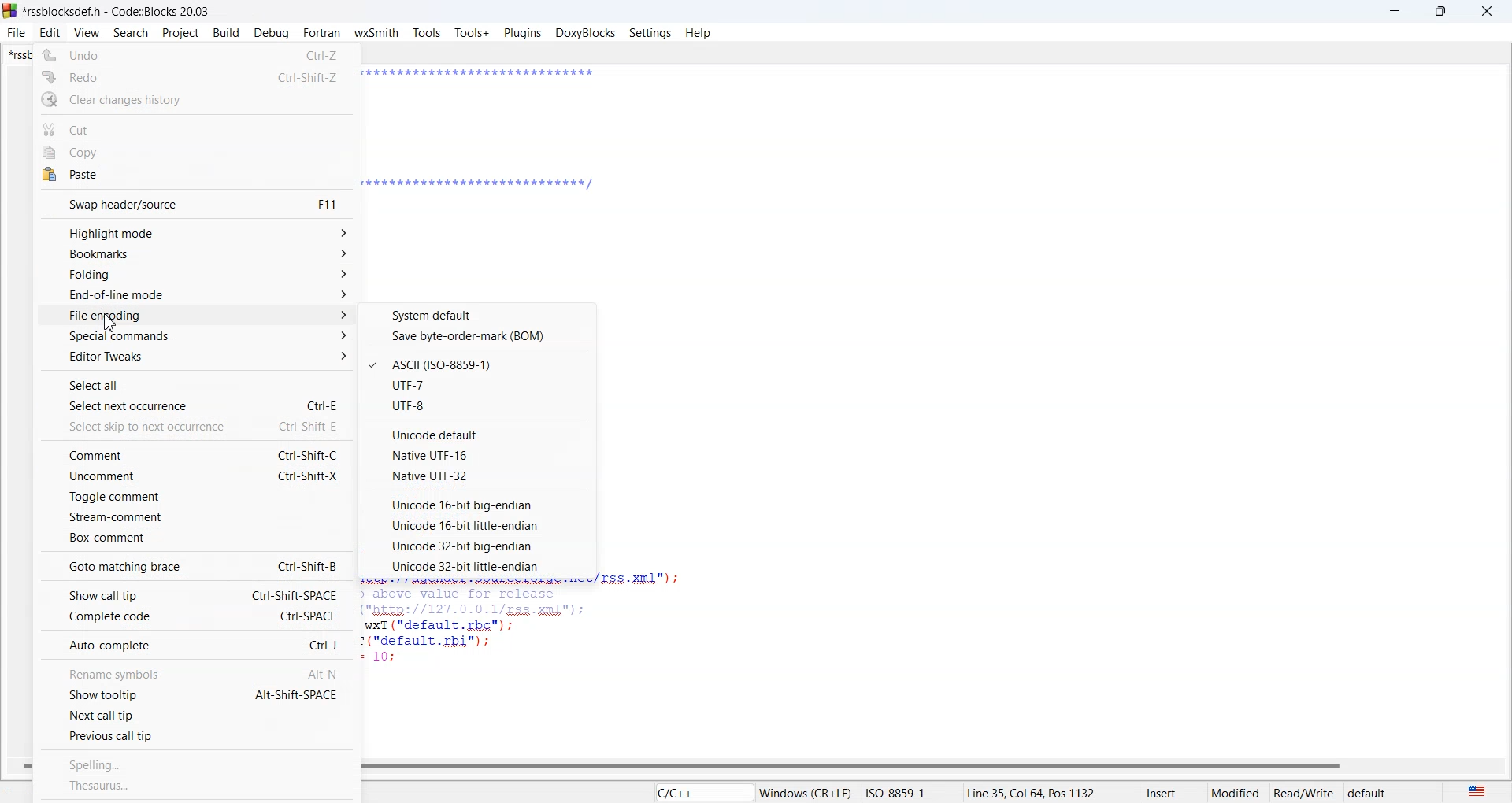  What do you see at coordinates (376, 33) in the screenshot?
I see `W X Smith` at bounding box center [376, 33].